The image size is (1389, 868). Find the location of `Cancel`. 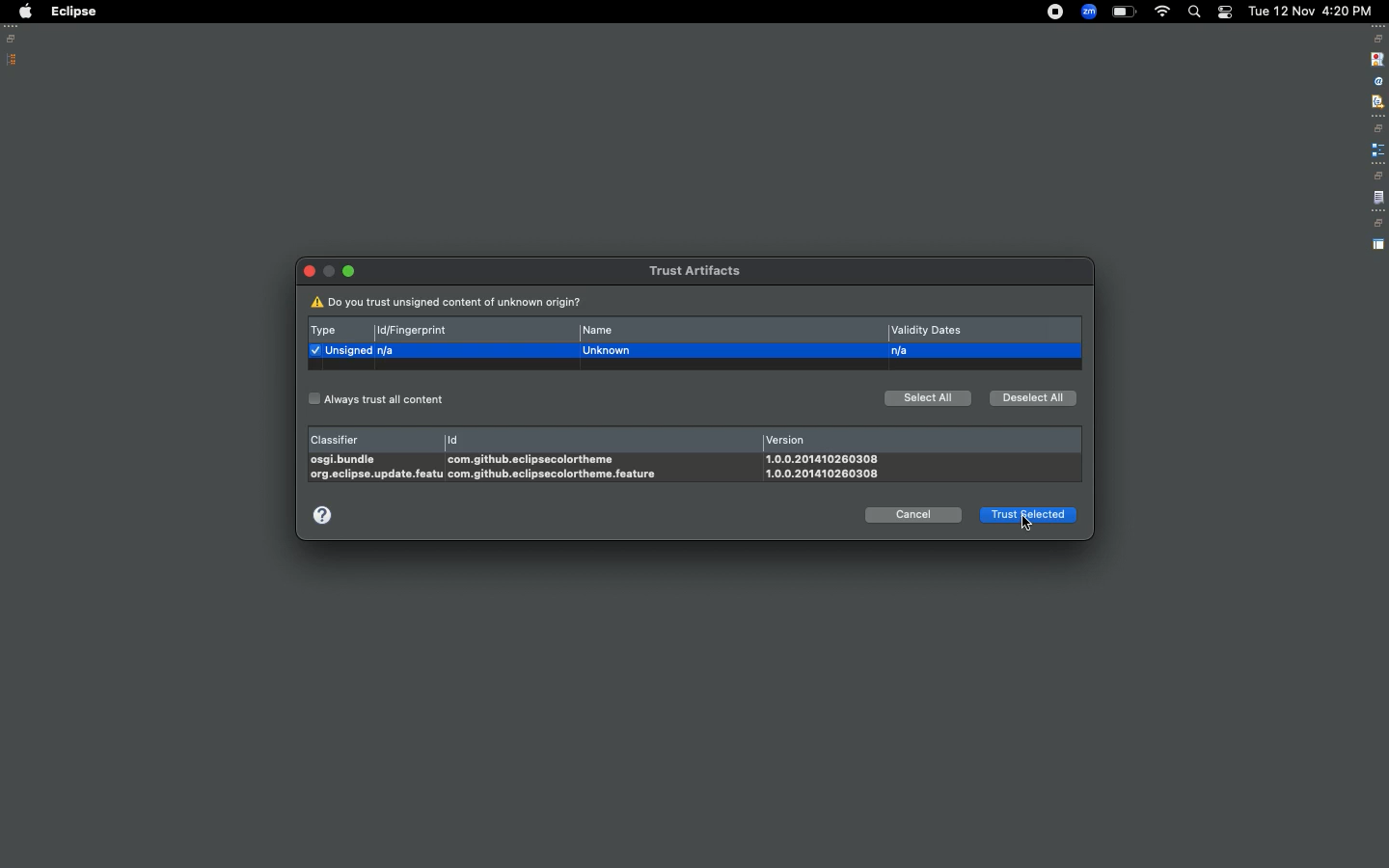

Cancel is located at coordinates (913, 514).